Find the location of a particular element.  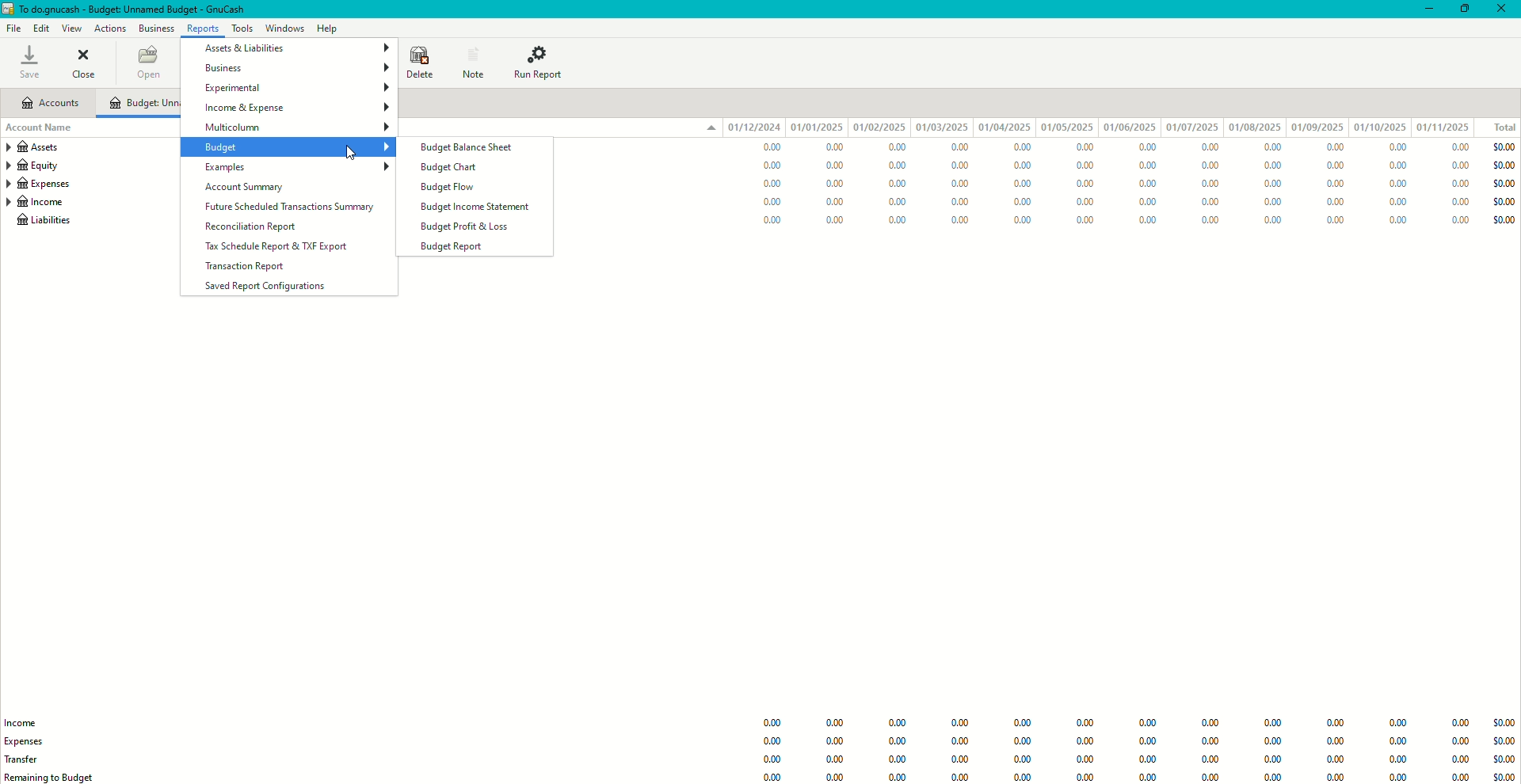

Close is located at coordinates (83, 63).